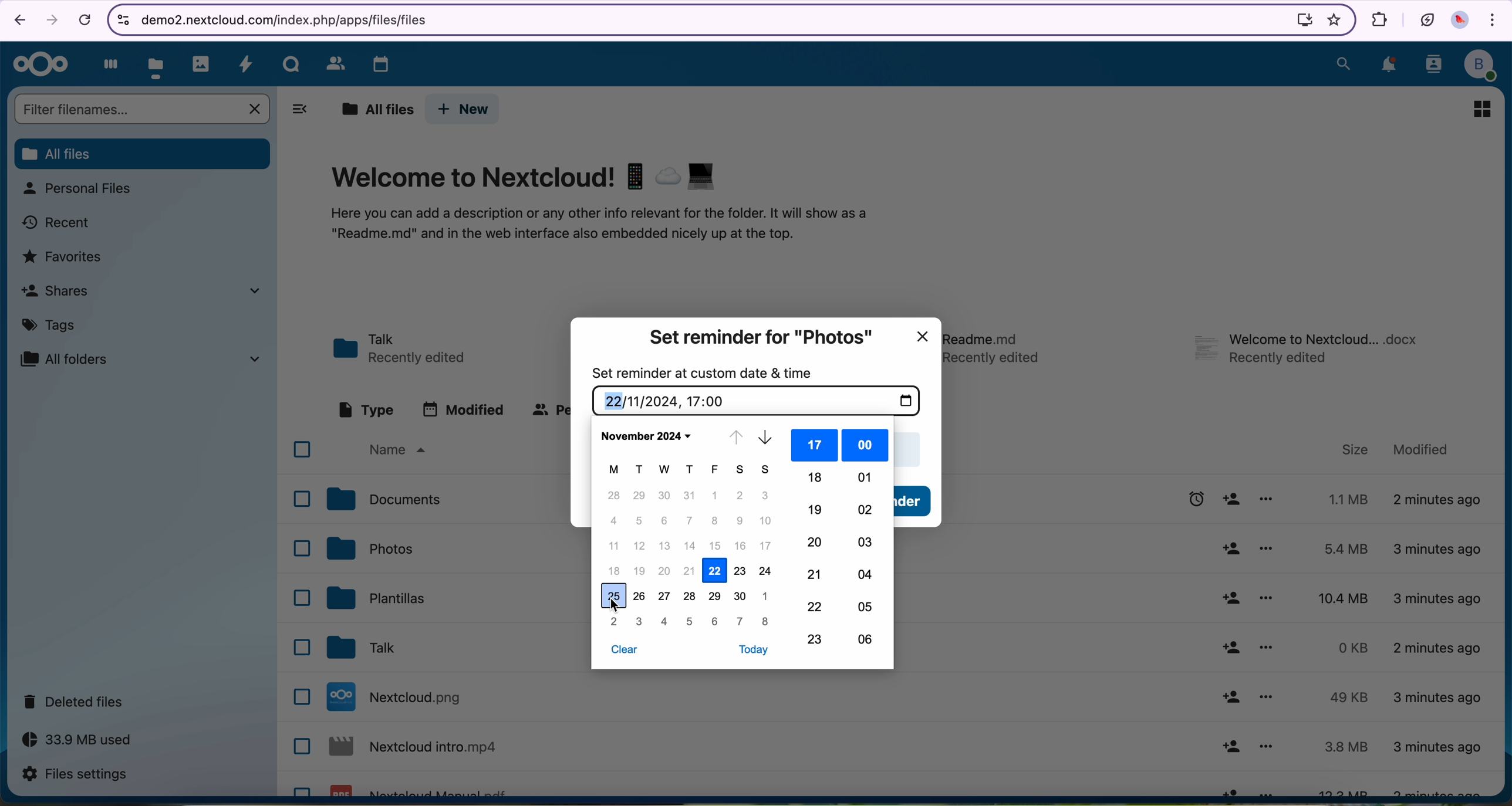 The width and height of the screenshot is (1512, 806). I want to click on 5, so click(689, 621).